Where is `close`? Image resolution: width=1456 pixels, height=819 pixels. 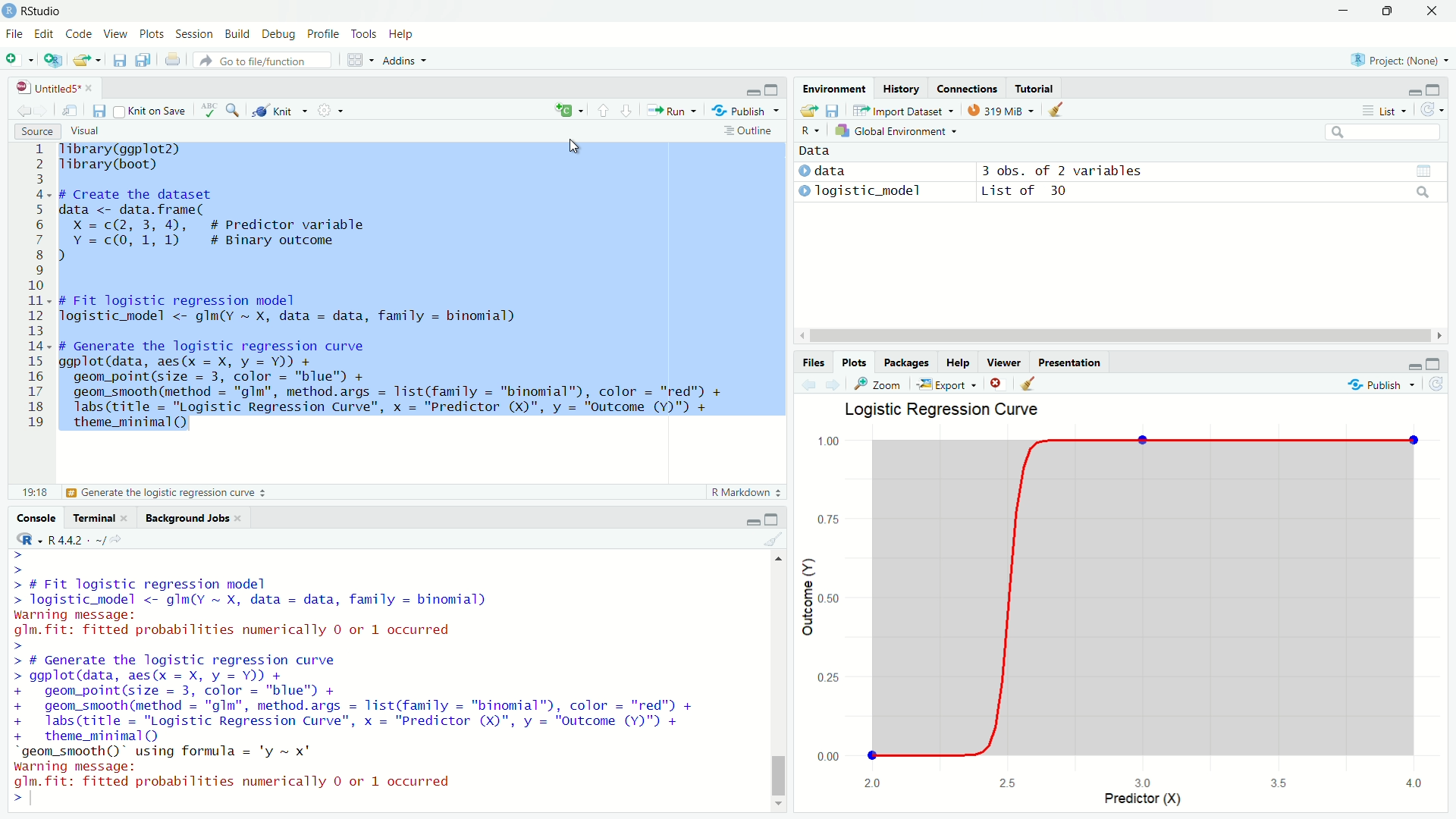 close is located at coordinates (124, 518).